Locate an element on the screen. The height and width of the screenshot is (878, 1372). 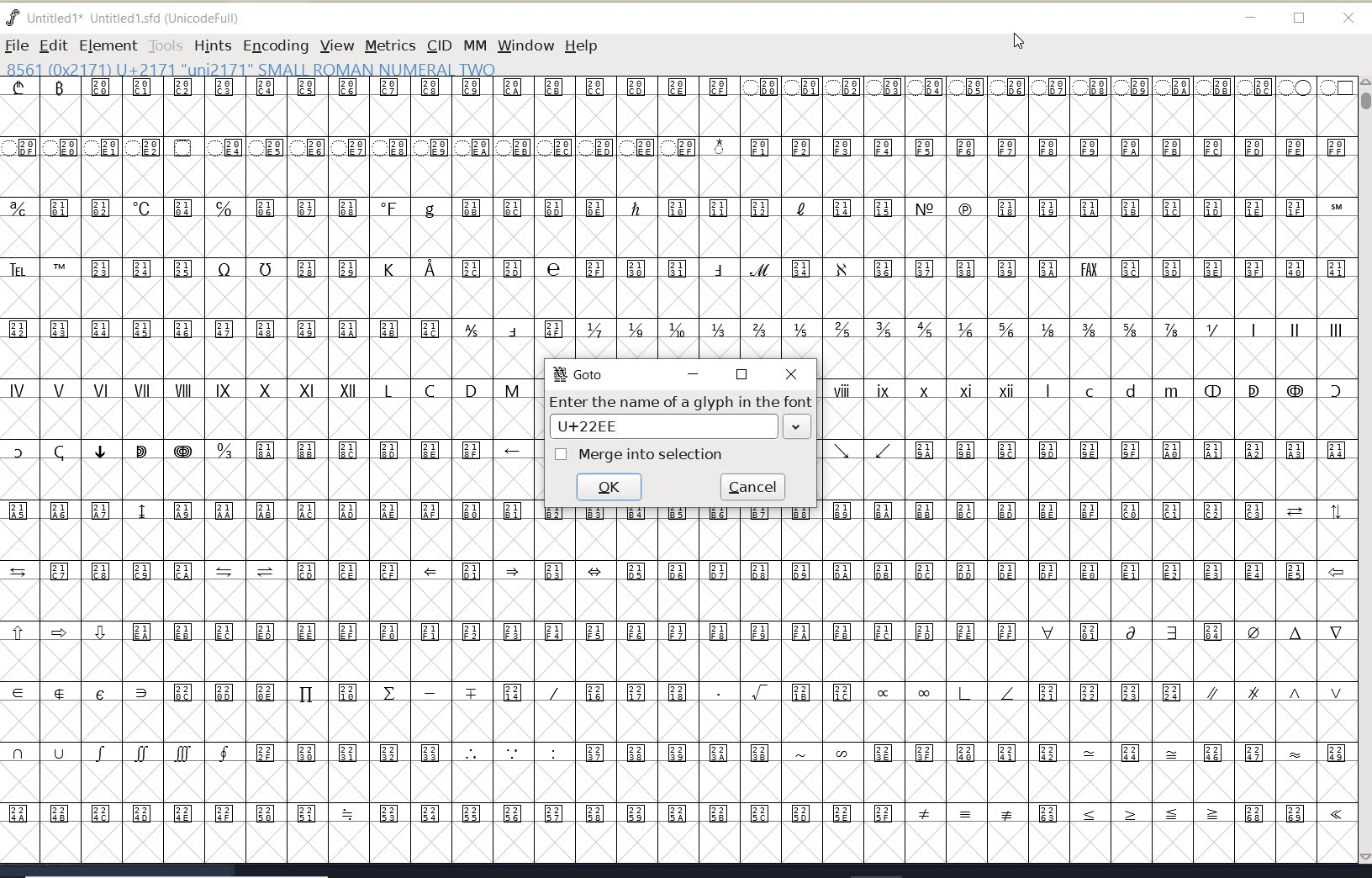
EDIT is located at coordinates (53, 45).